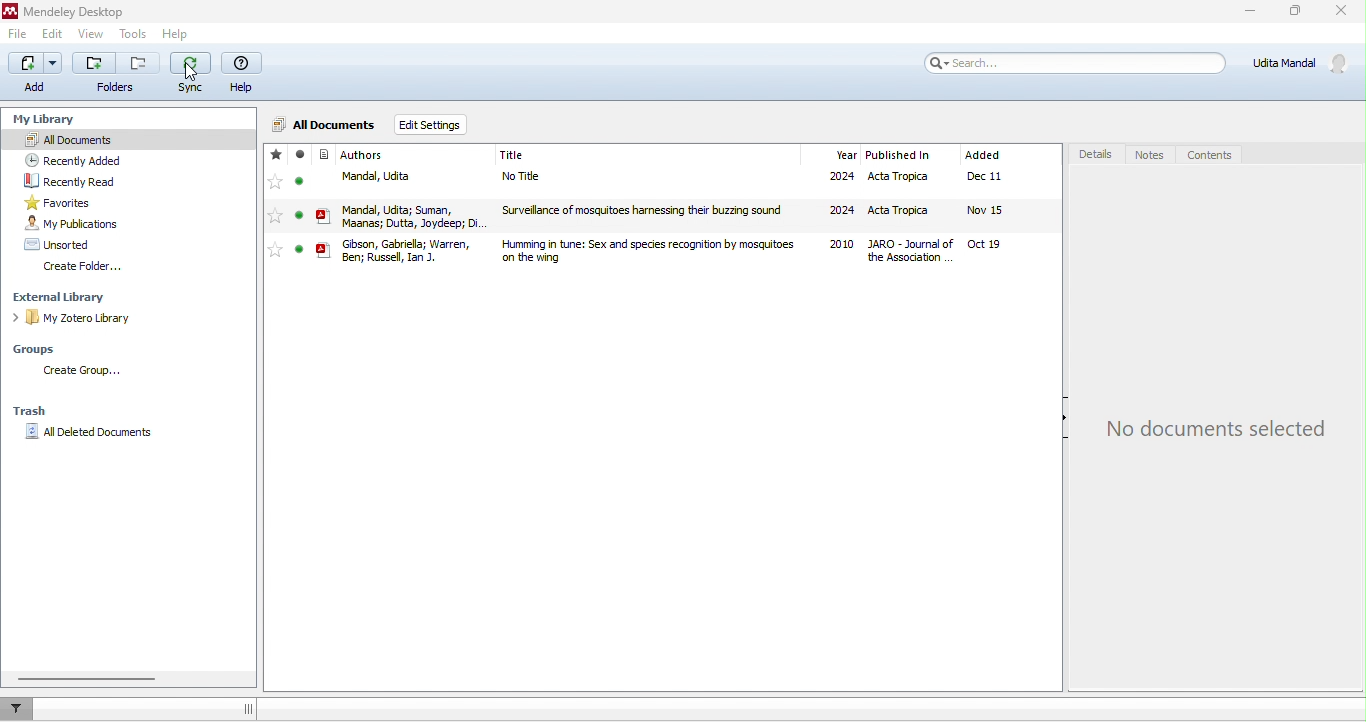 This screenshot has height=722, width=1366. I want to click on year, so click(846, 154).